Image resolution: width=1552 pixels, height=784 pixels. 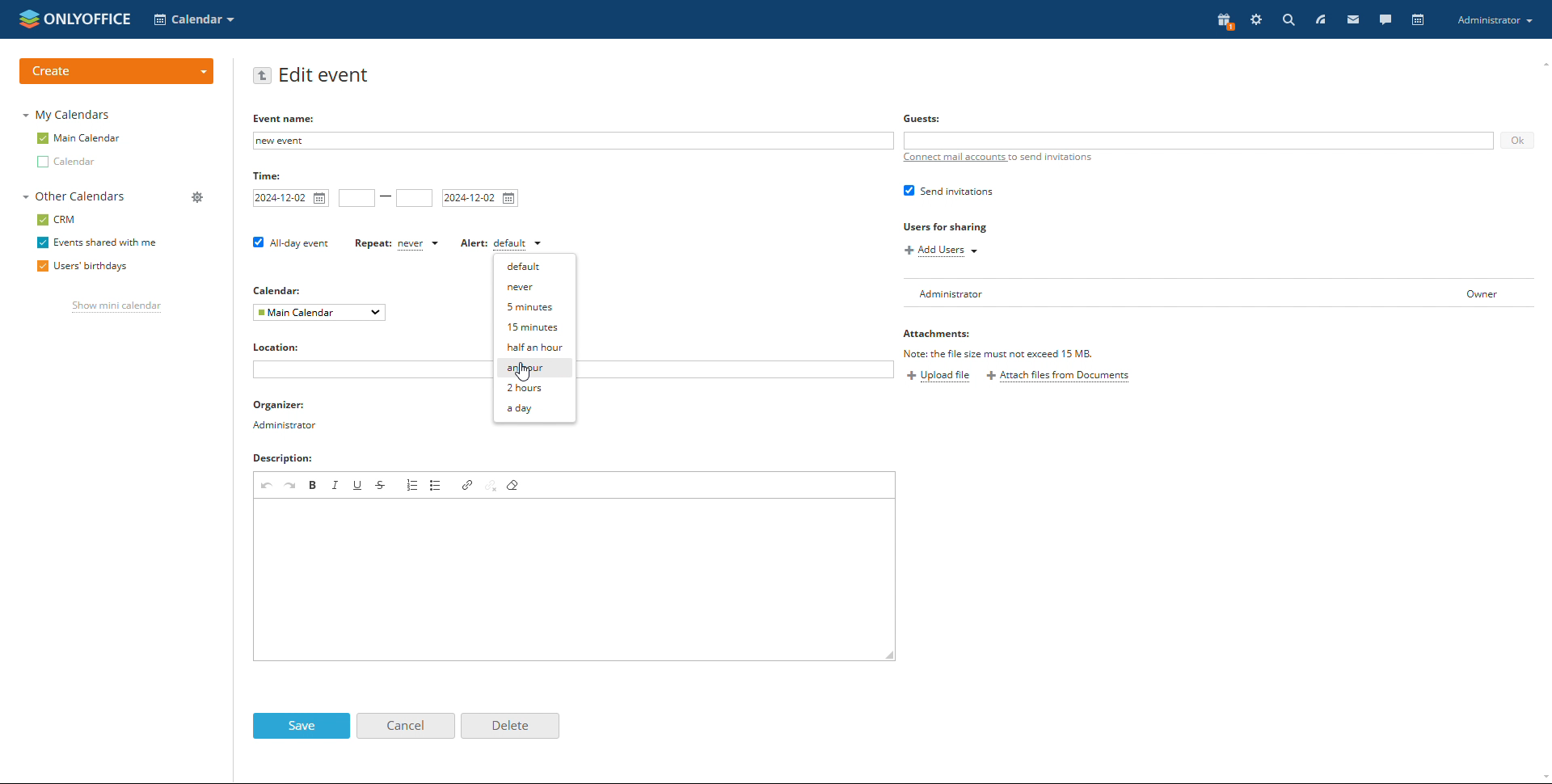 What do you see at coordinates (319, 313) in the screenshot?
I see `select calendar` at bounding box center [319, 313].